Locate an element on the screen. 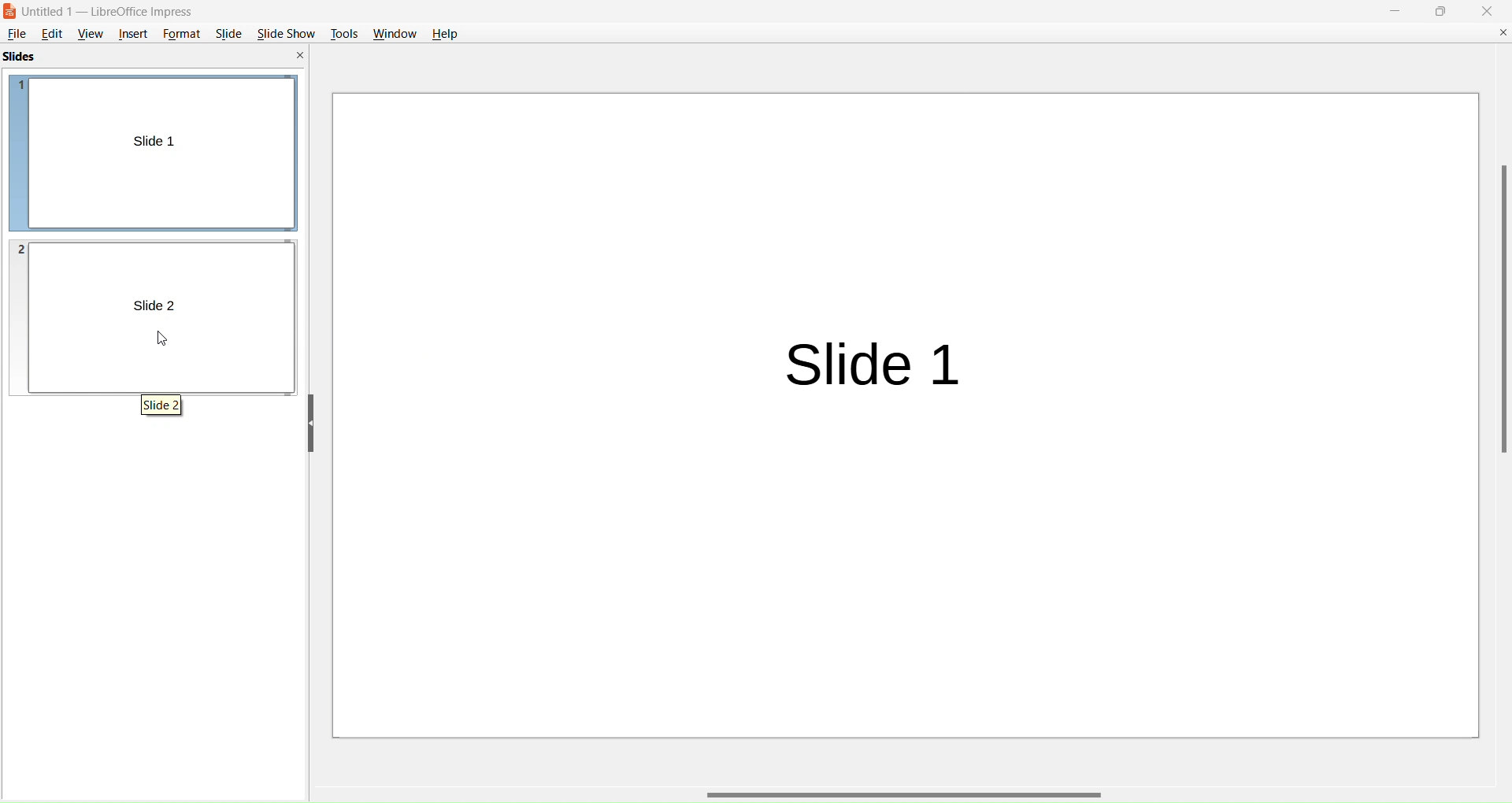 The height and width of the screenshot is (803, 1512). close is located at coordinates (1488, 10).